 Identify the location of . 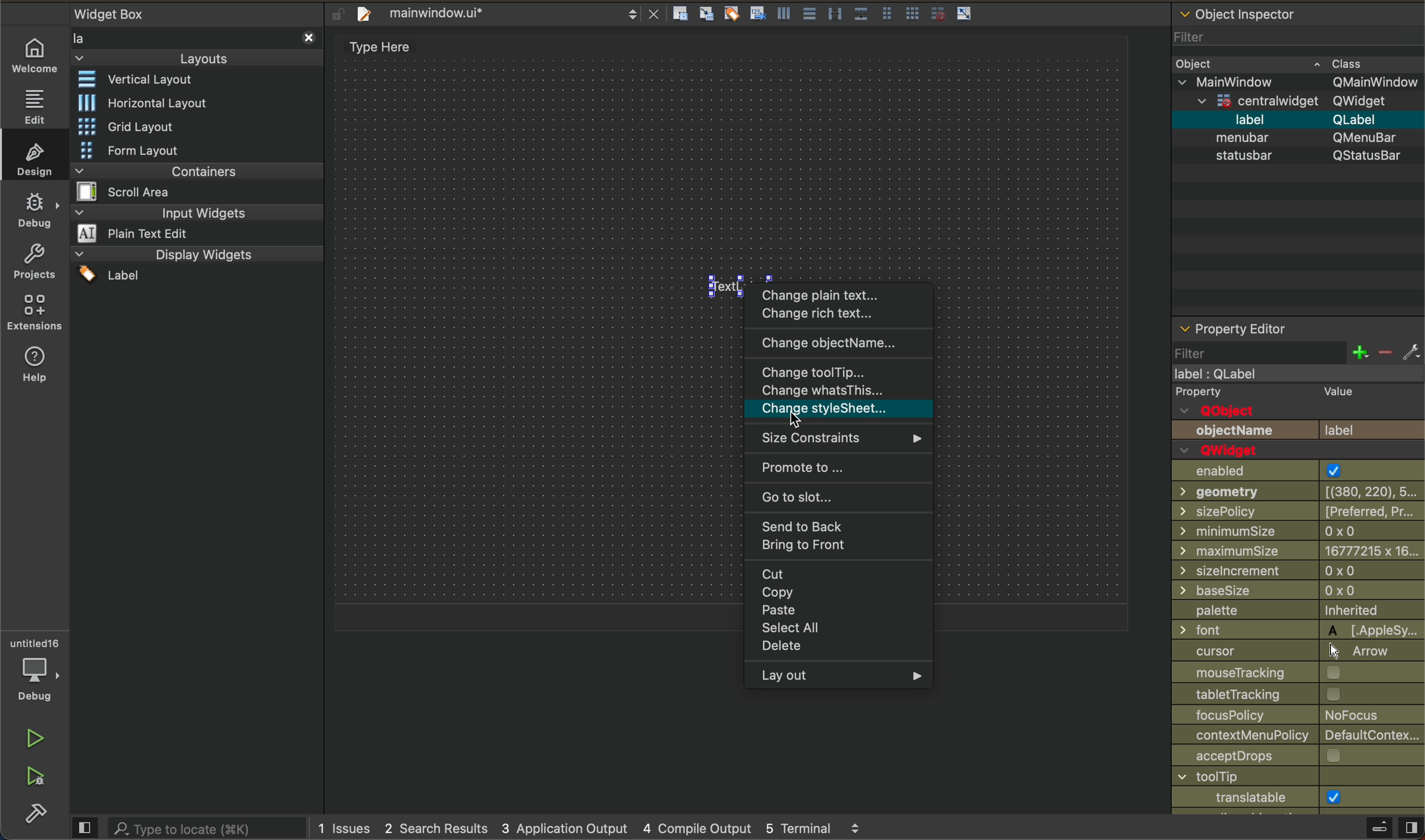
(1296, 629).